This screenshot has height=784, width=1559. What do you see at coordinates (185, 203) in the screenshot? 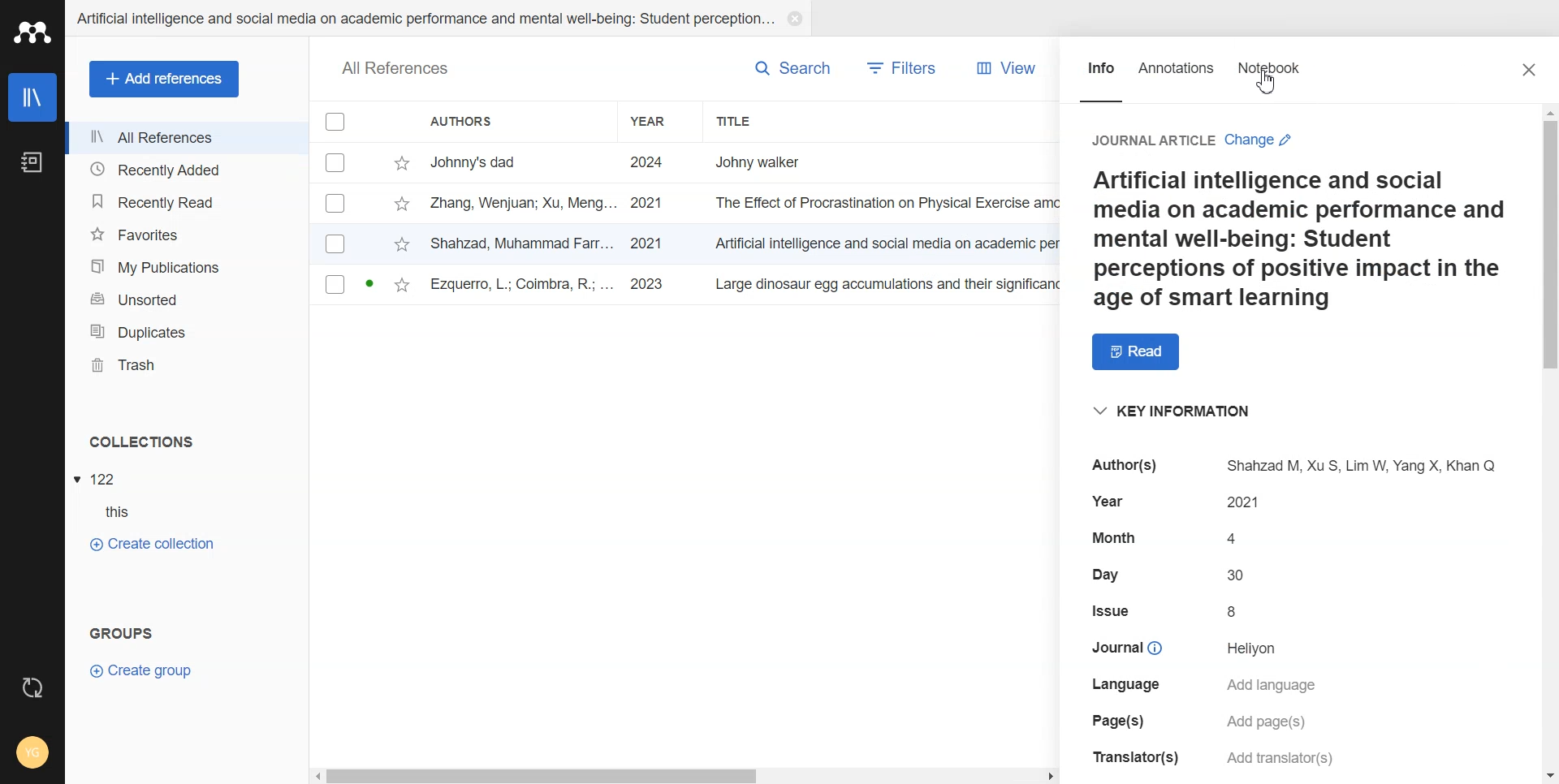
I see `Recently Read` at bounding box center [185, 203].